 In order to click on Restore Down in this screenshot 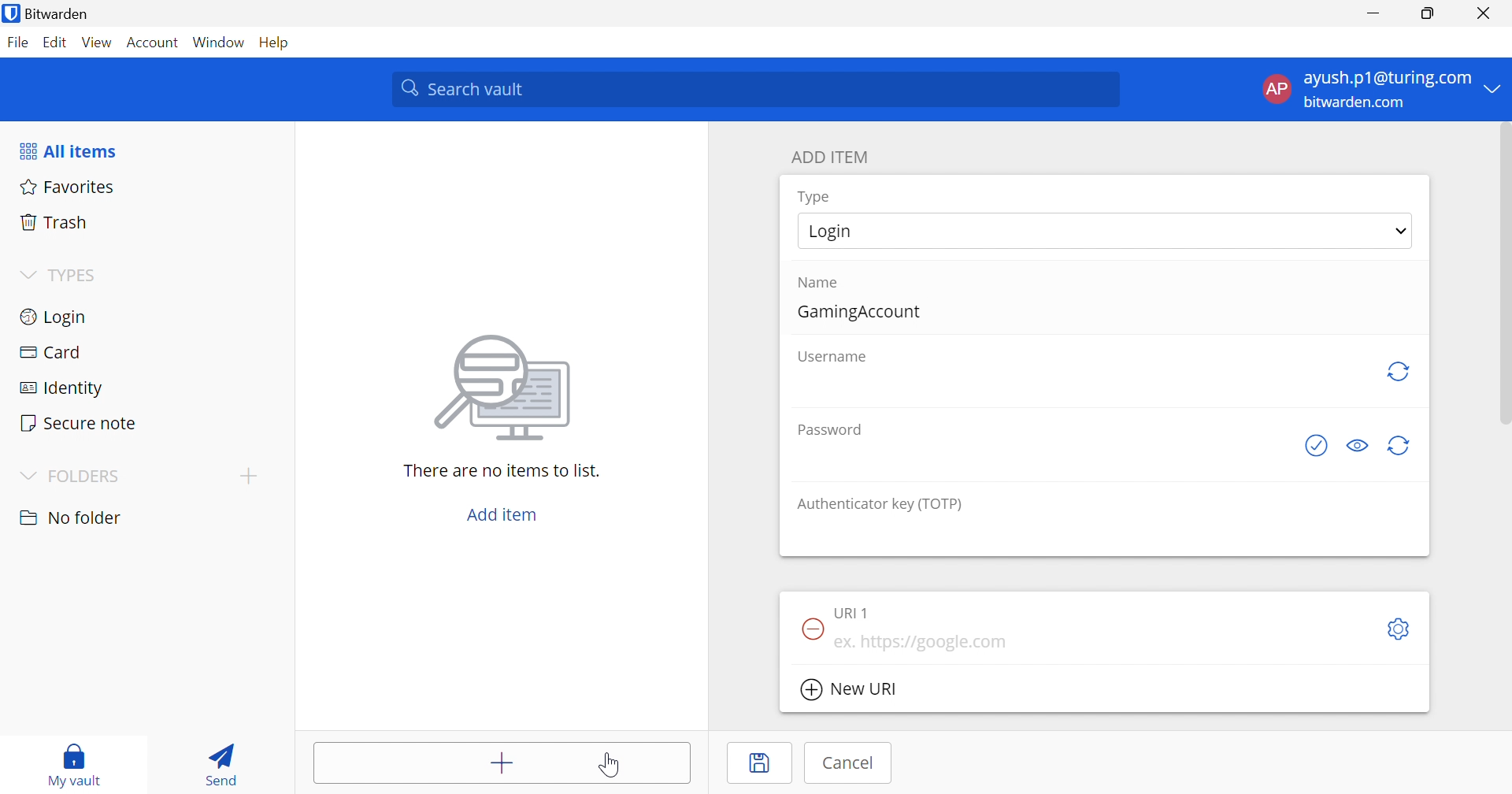, I will do `click(1429, 14)`.